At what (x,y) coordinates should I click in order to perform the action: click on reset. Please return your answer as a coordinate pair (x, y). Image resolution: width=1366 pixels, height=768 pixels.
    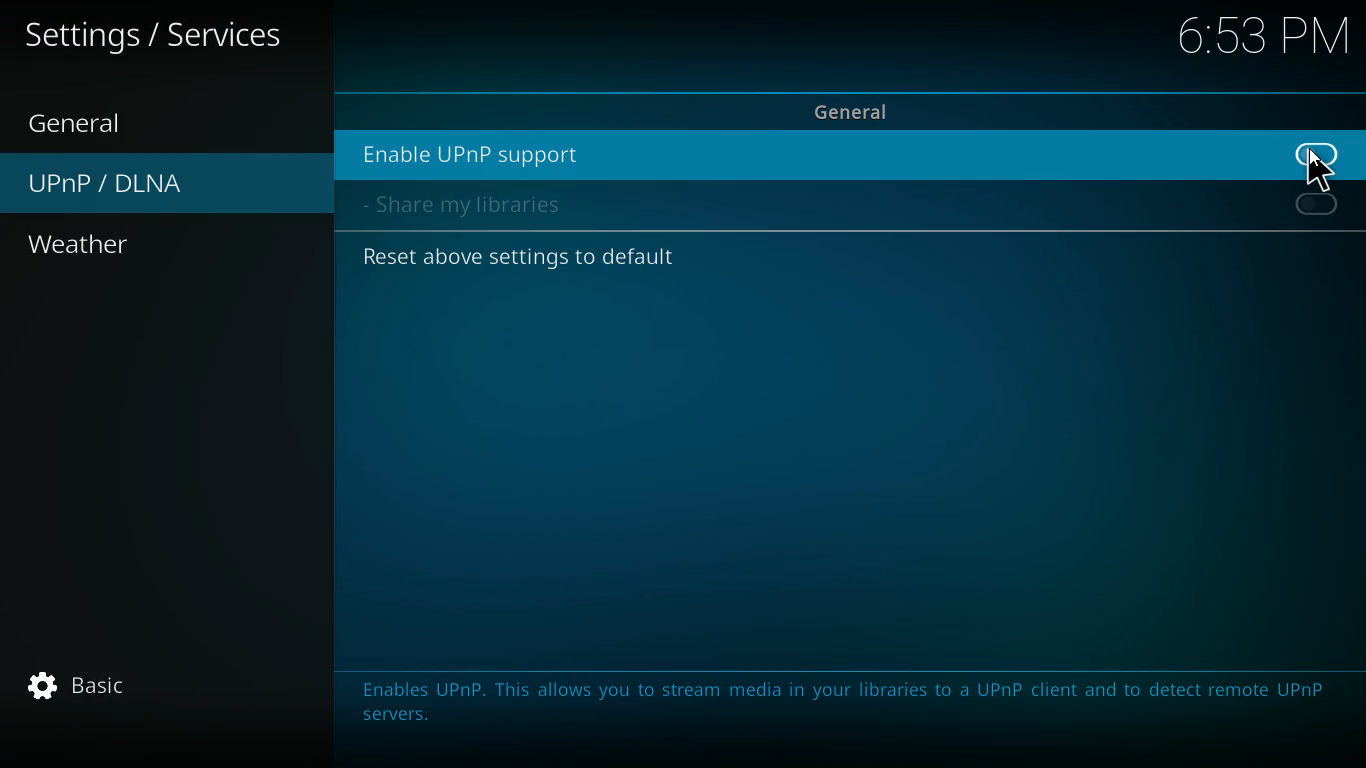
    Looking at the image, I should click on (536, 261).